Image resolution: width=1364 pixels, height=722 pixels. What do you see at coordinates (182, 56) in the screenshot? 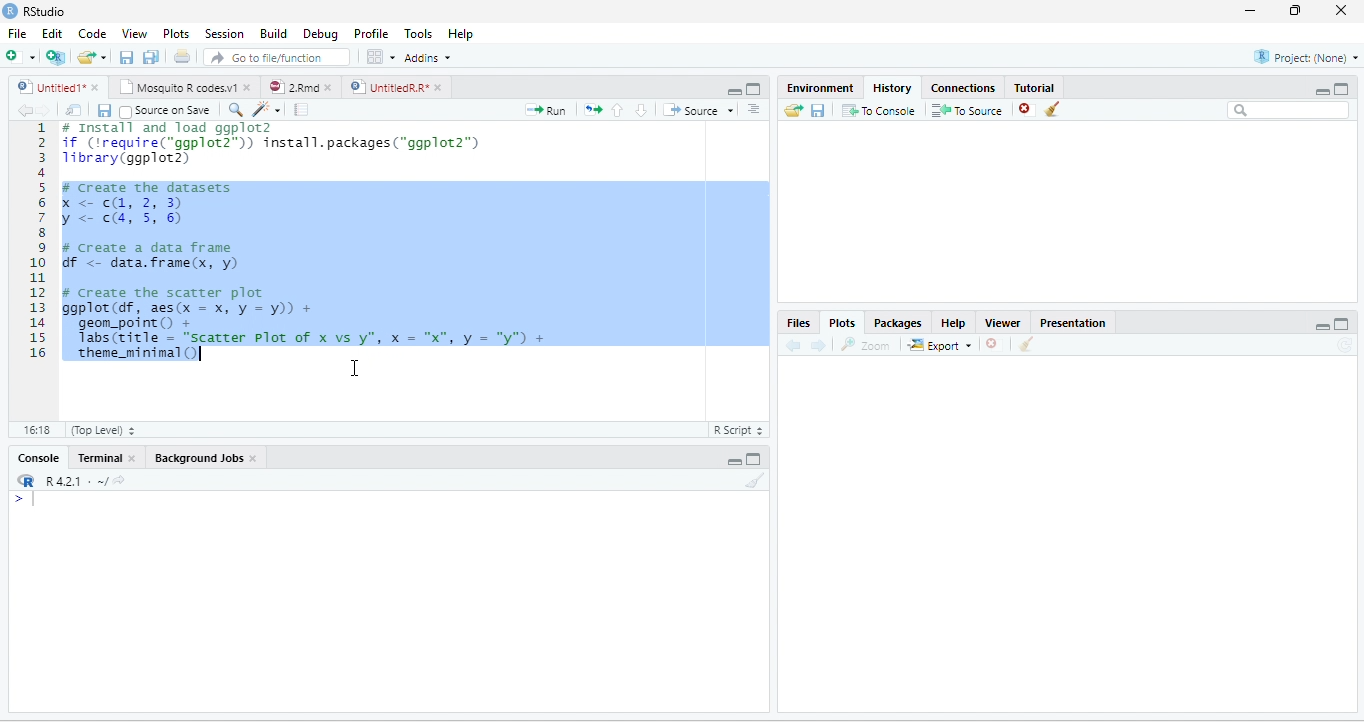
I see `Print the current file` at bounding box center [182, 56].